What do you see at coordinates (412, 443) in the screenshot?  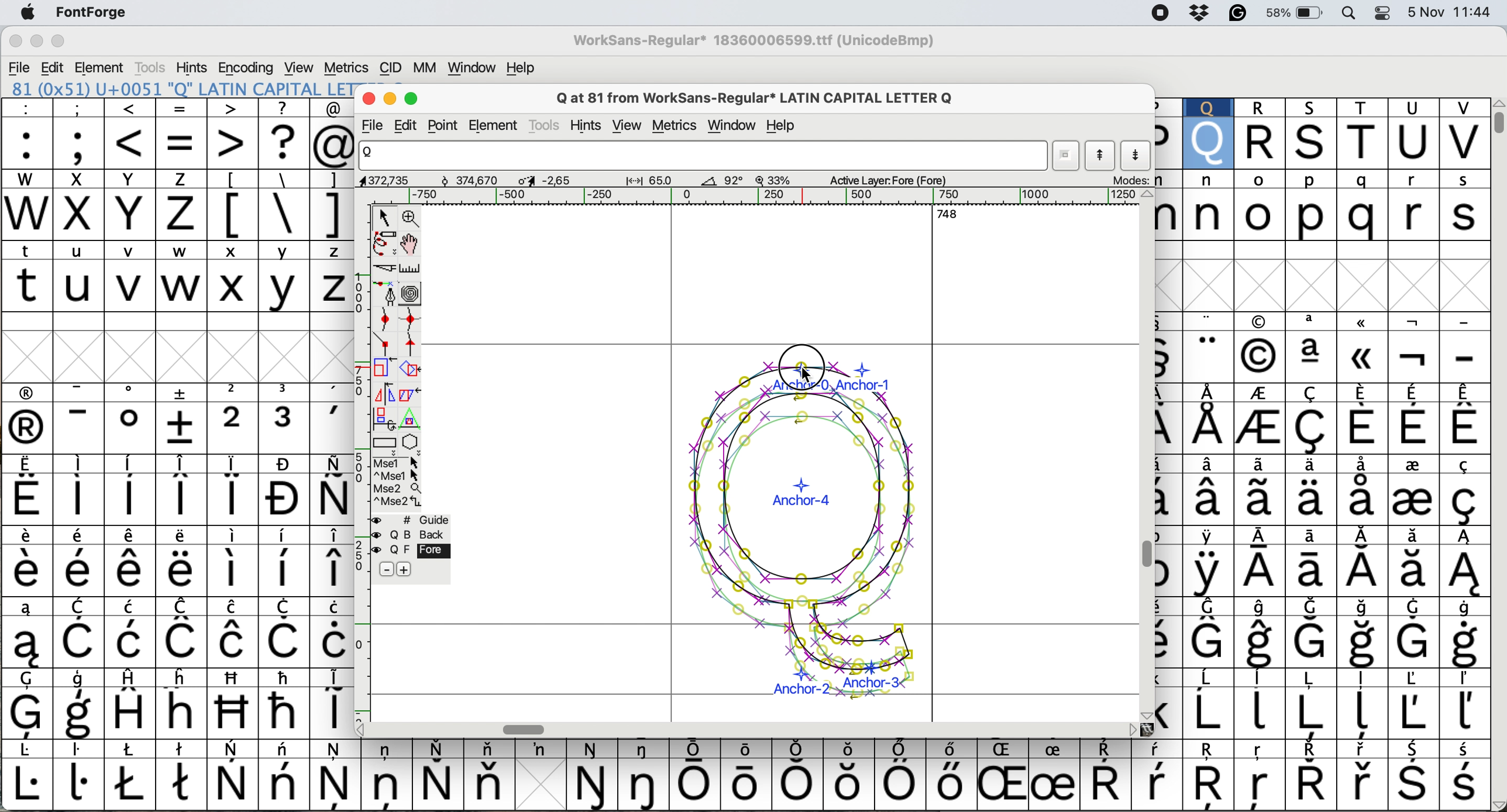 I see `star or polygon` at bounding box center [412, 443].